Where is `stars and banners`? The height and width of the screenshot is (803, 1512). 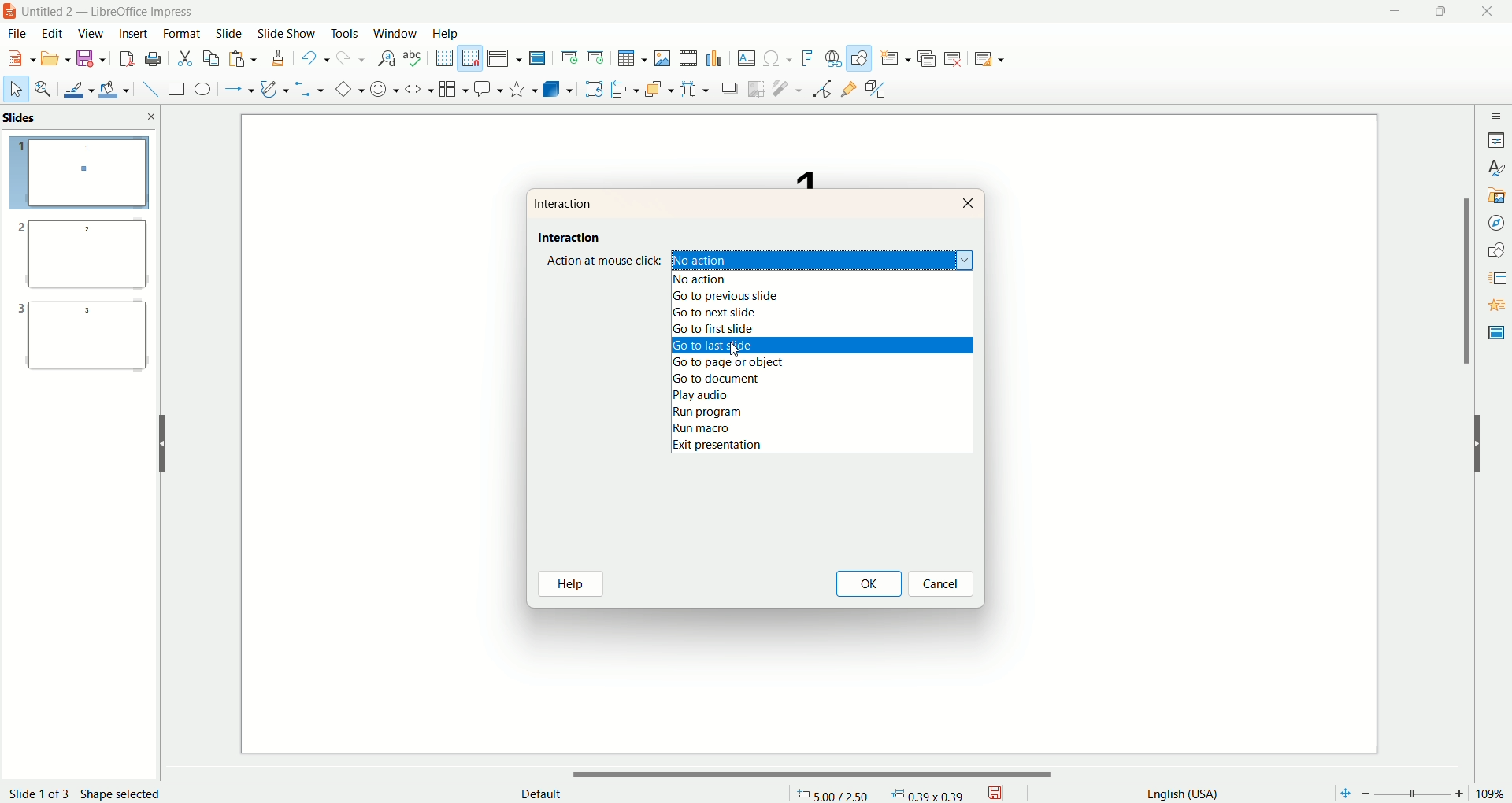 stars and banners is located at coordinates (521, 88).